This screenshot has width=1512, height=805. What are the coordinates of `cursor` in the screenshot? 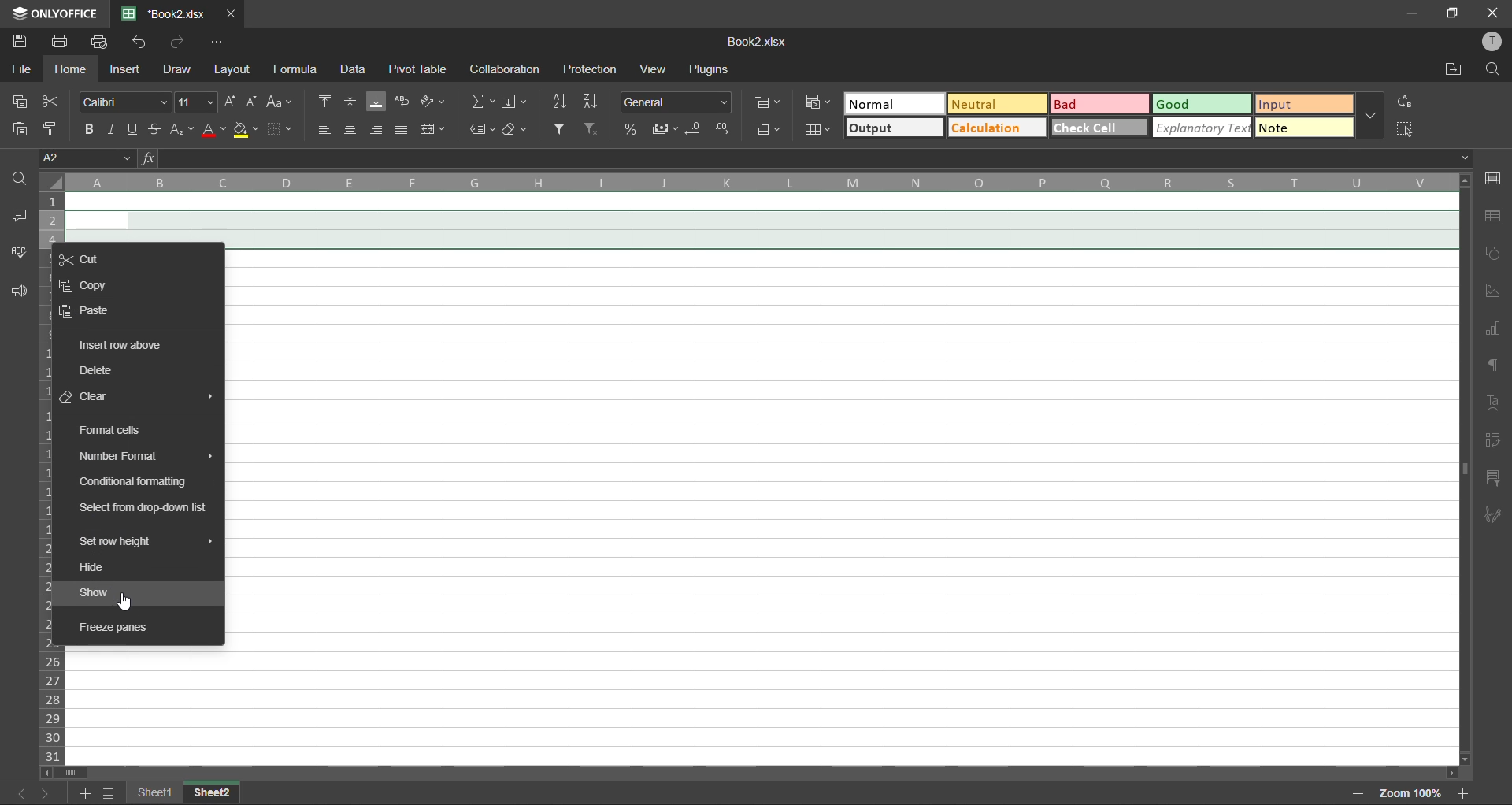 It's located at (128, 602).